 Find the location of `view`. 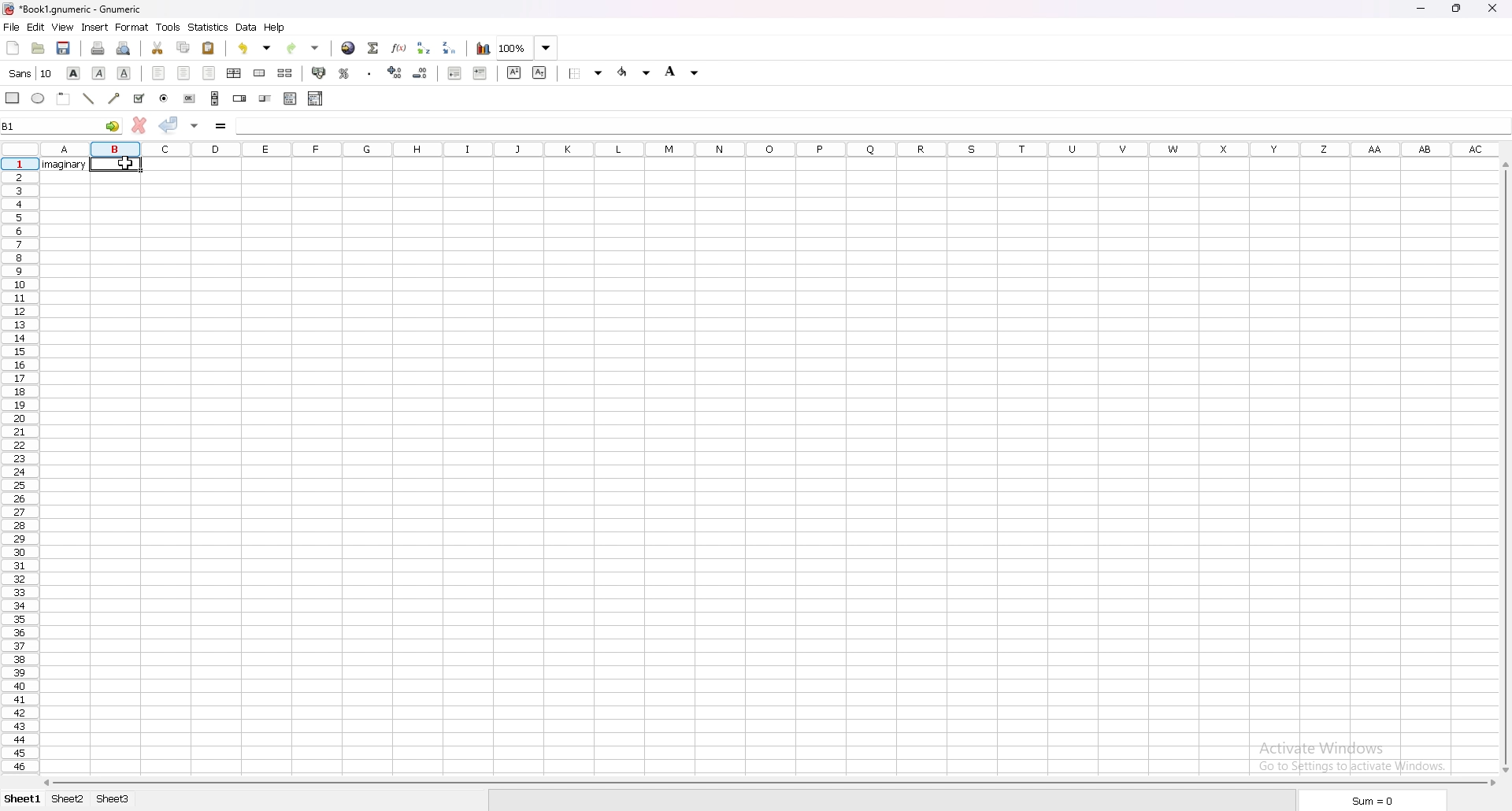

view is located at coordinates (62, 28).